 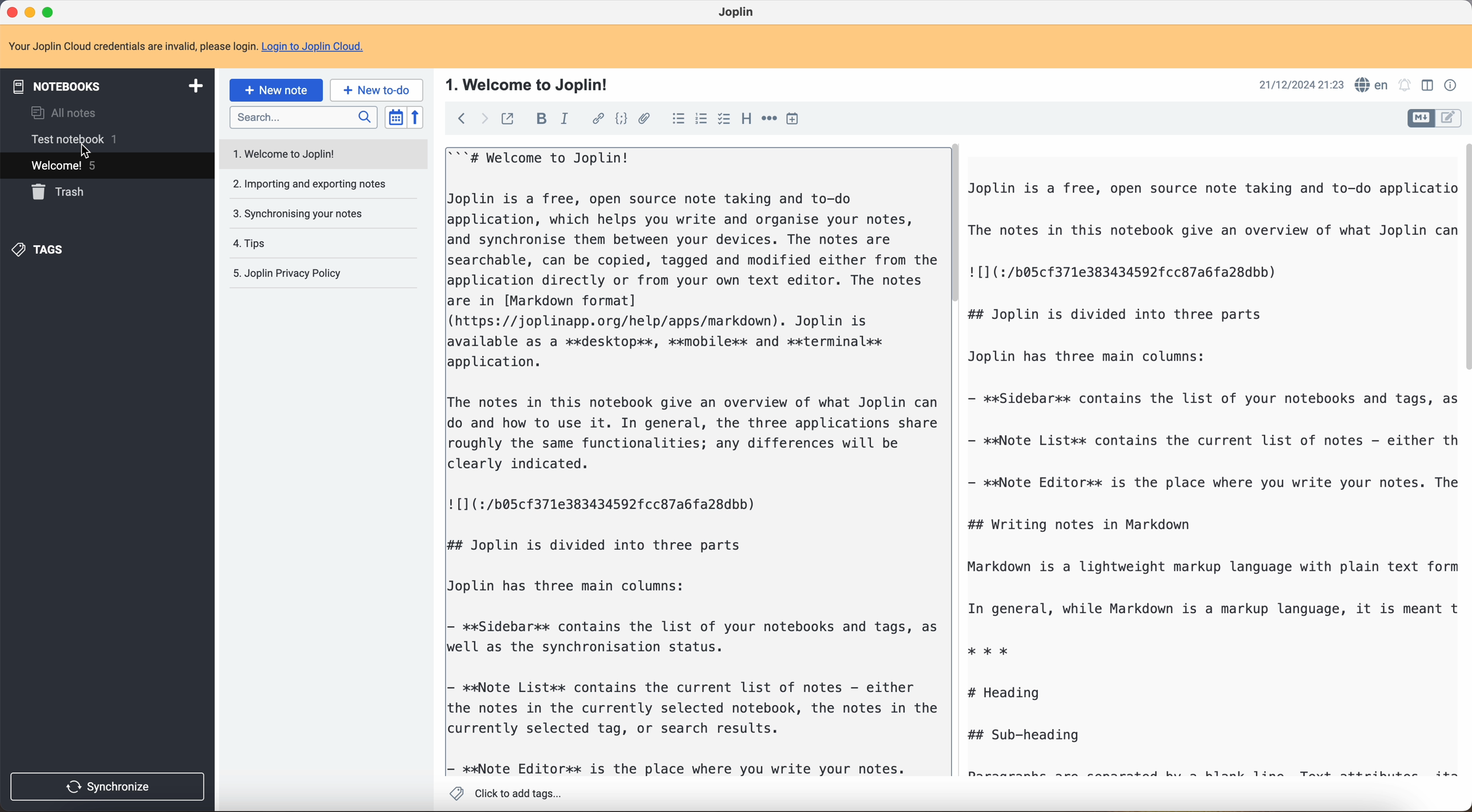 I want to click on Joplin privacy policy, so click(x=288, y=275).